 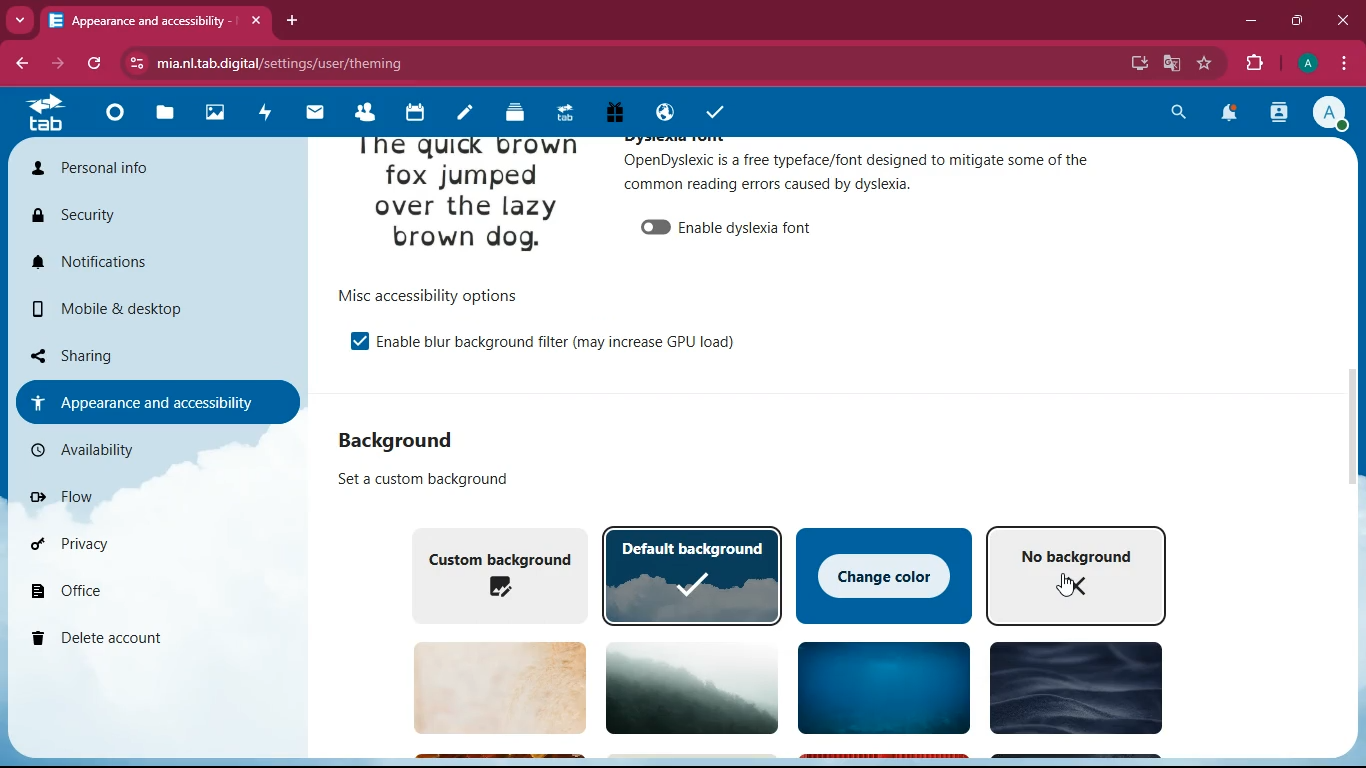 I want to click on activity, so click(x=265, y=111).